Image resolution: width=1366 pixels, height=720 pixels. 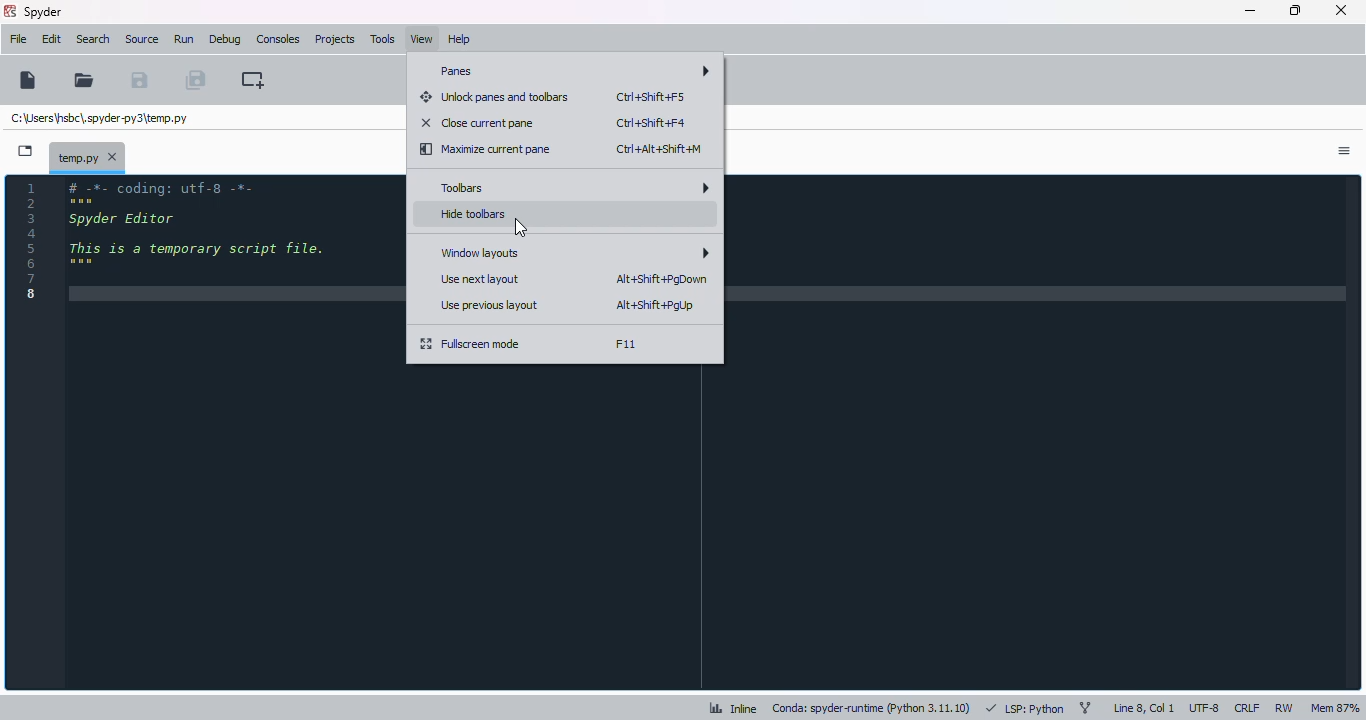 What do you see at coordinates (18, 39) in the screenshot?
I see `file` at bounding box center [18, 39].